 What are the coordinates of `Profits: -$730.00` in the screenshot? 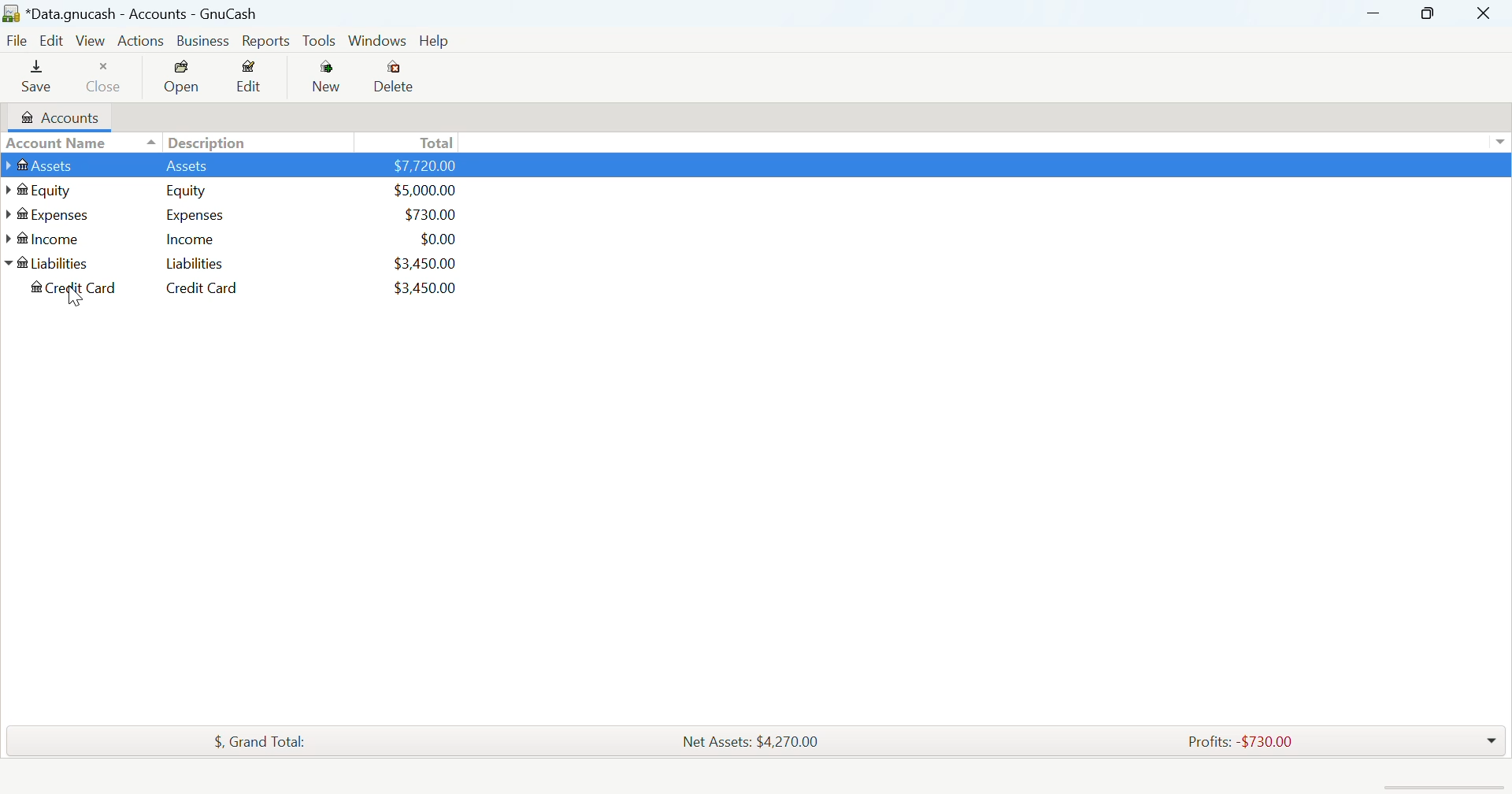 It's located at (1238, 740).